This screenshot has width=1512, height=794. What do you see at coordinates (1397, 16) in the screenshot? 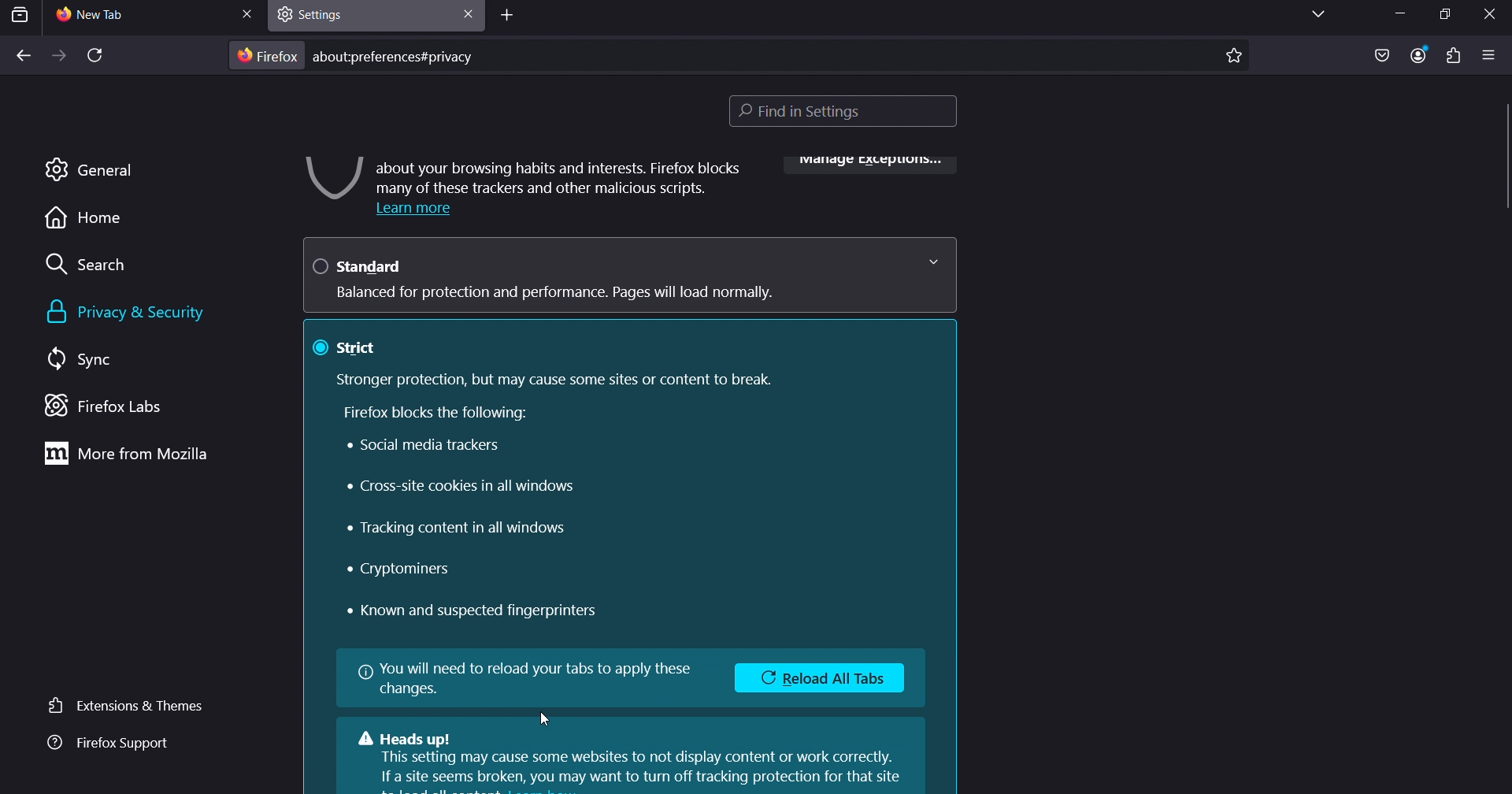
I see `minimize` at bounding box center [1397, 16].